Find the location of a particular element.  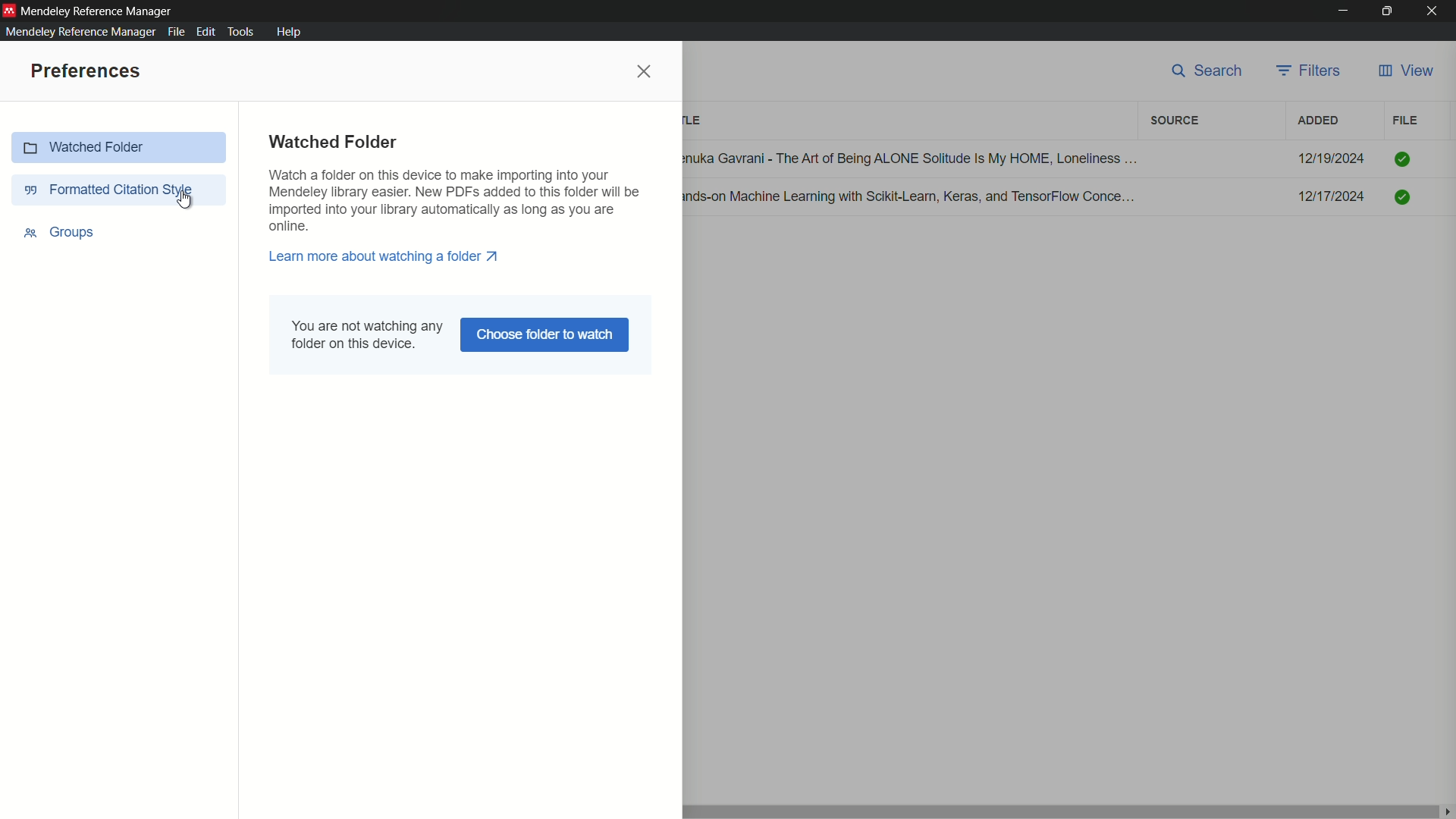

help menu is located at coordinates (288, 31).